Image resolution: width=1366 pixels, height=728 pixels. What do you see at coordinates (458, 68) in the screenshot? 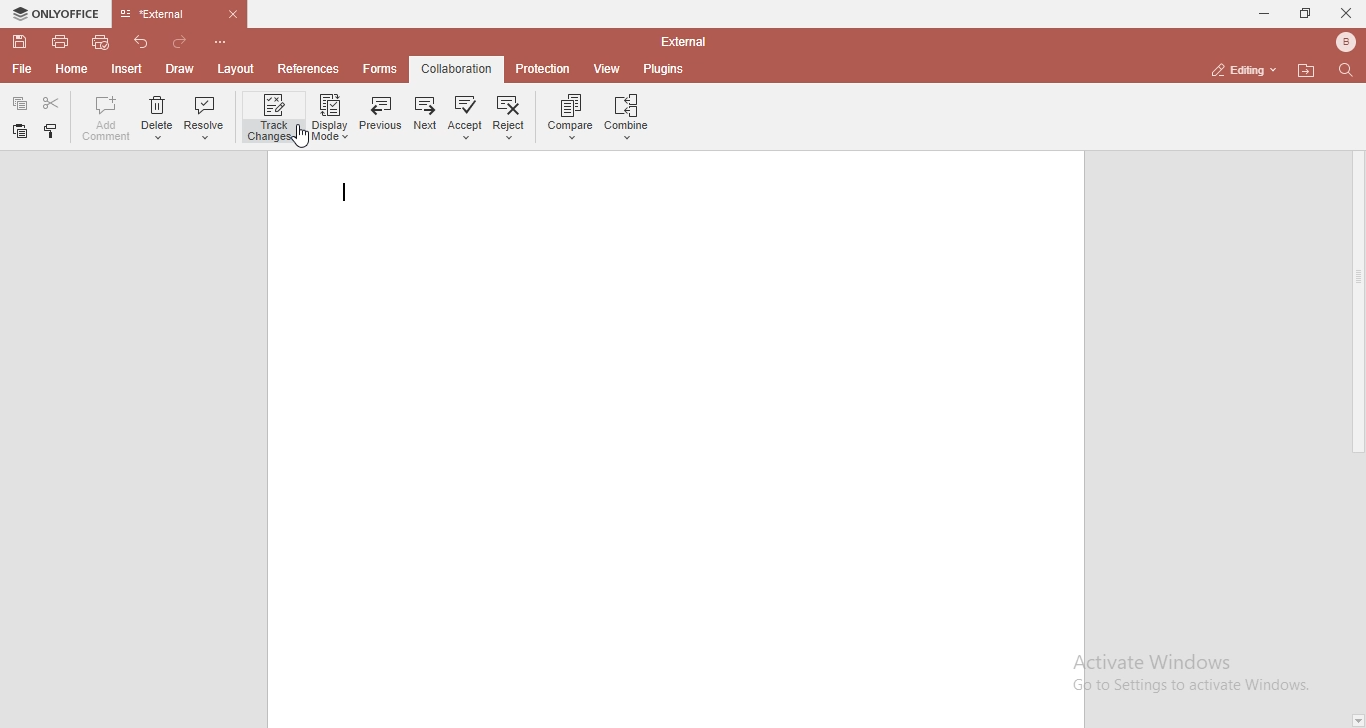
I see `collaboration` at bounding box center [458, 68].